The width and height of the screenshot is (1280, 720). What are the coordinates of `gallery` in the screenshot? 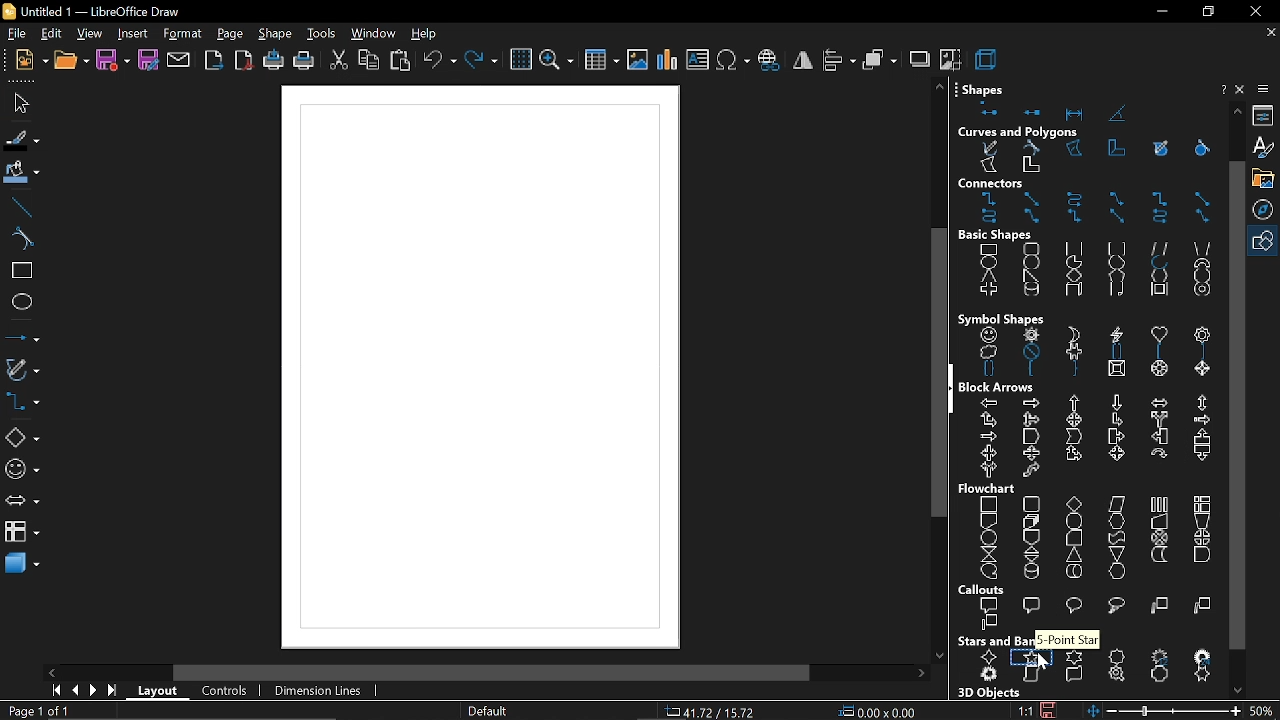 It's located at (1266, 178).